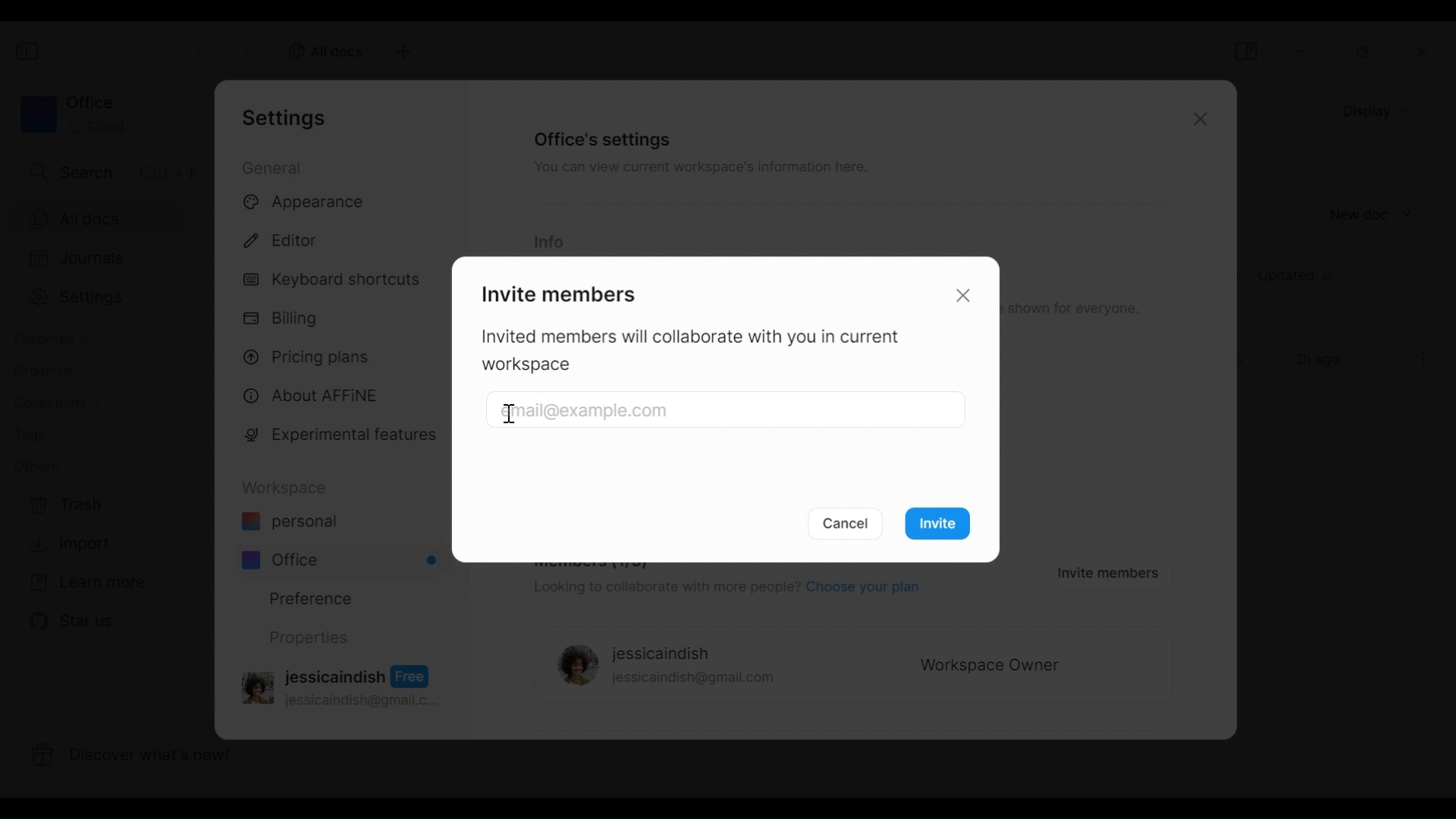 This screenshot has height=819, width=1456. Describe the element at coordinates (309, 203) in the screenshot. I see `Appearance` at that location.